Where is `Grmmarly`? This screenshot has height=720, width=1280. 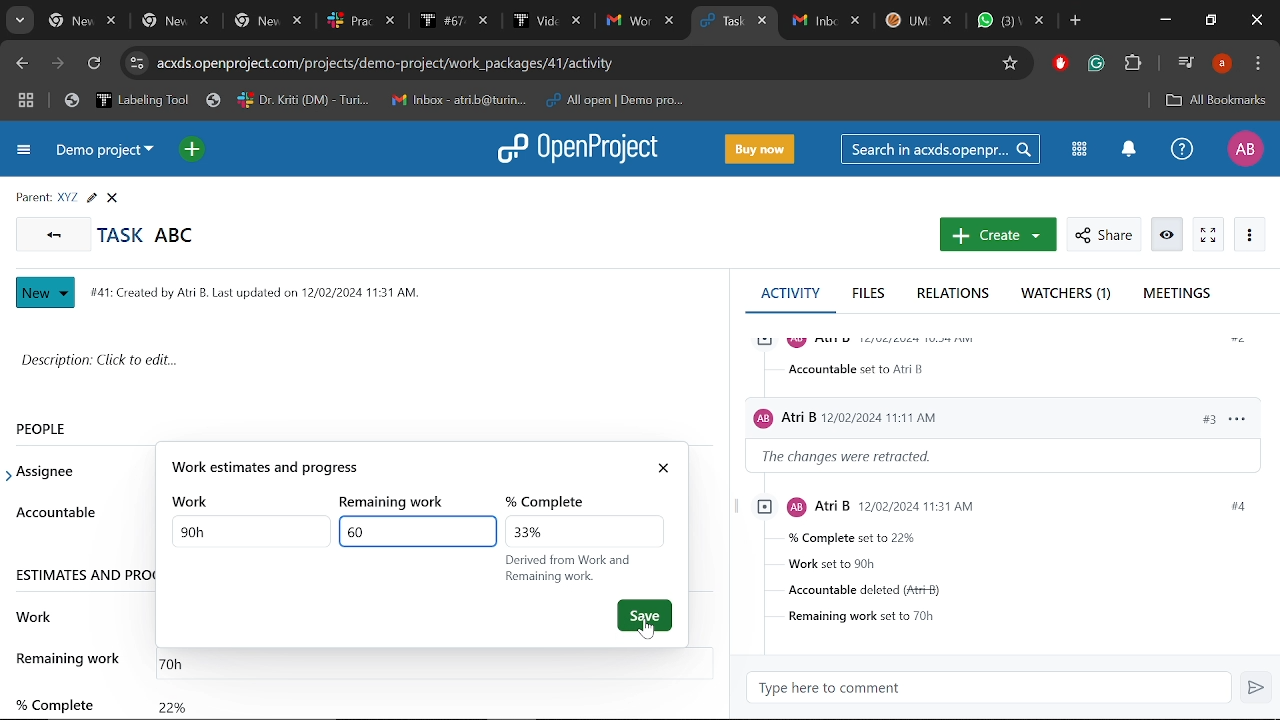 Grmmarly is located at coordinates (1098, 66).